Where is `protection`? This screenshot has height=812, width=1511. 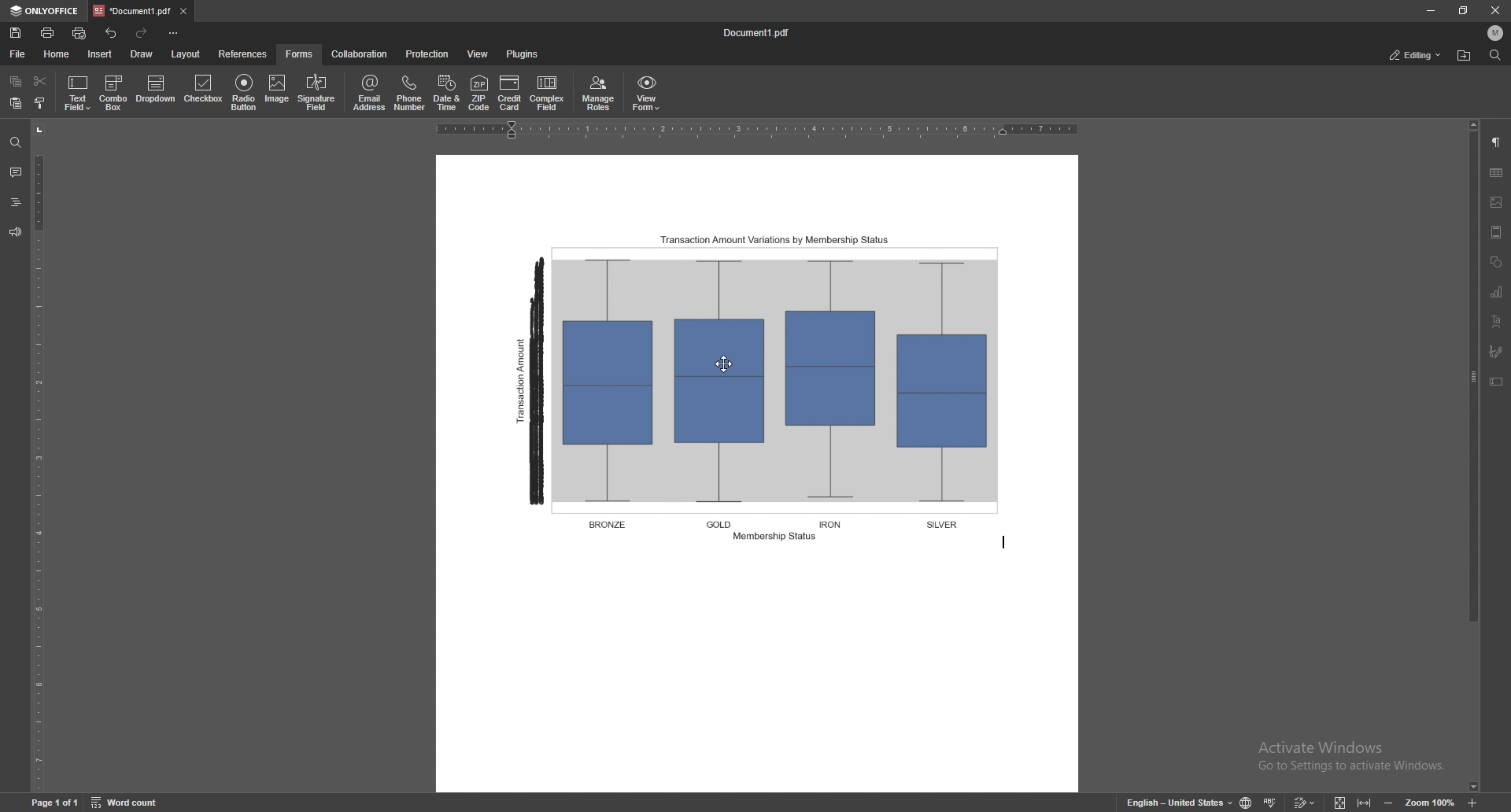 protection is located at coordinates (427, 54).